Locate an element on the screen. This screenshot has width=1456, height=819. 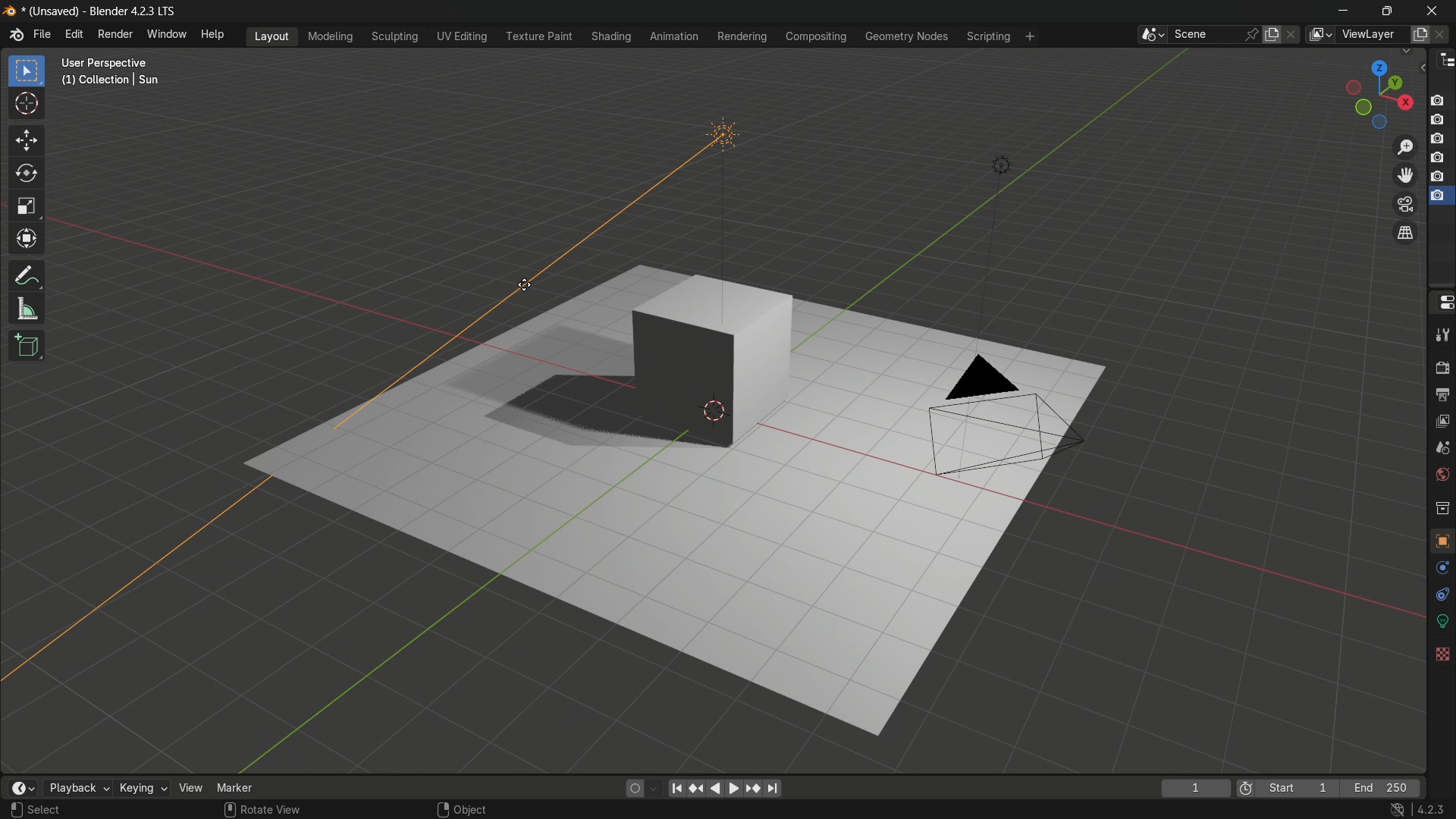
physics is located at coordinates (1442, 568).